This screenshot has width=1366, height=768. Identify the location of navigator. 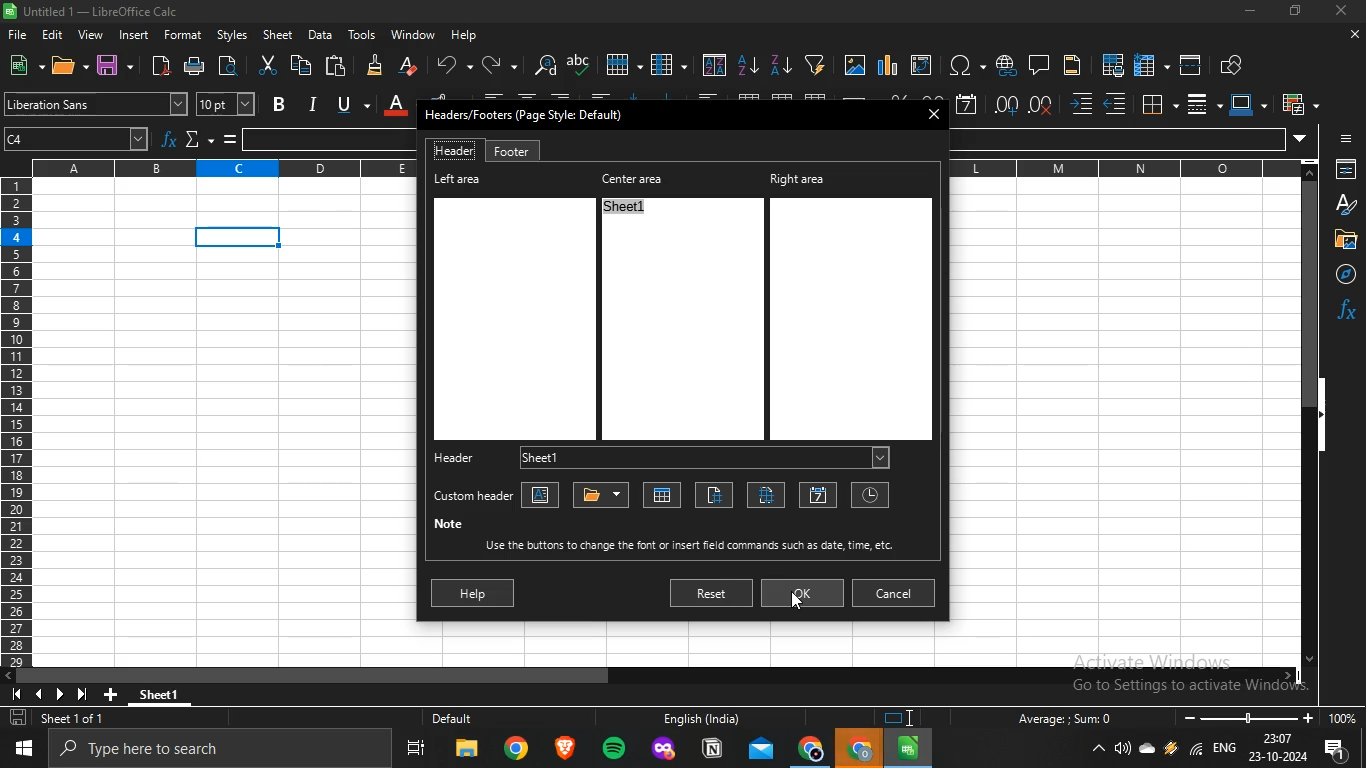
(1340, 274).